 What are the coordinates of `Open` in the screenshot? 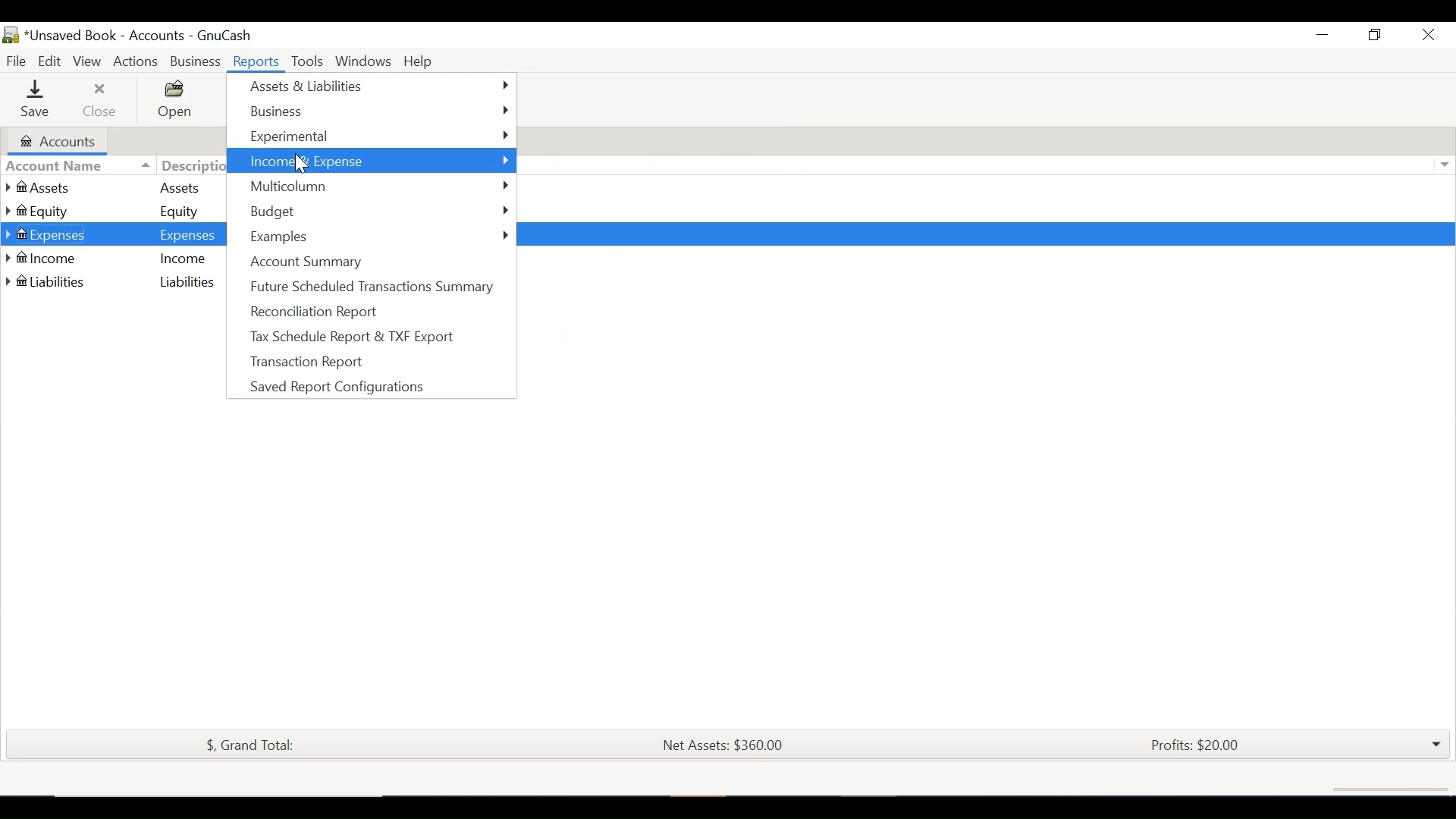 It's located at (174, 99).